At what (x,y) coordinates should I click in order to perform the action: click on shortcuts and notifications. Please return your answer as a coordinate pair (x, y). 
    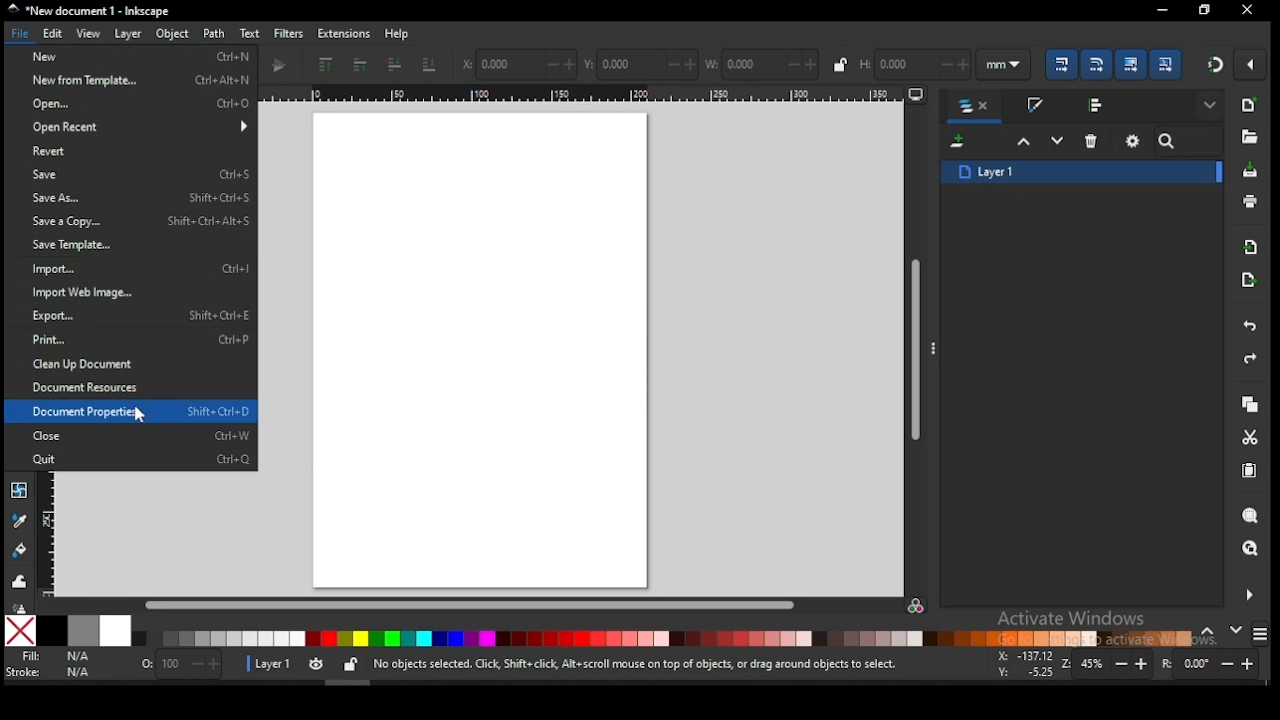
    Looking at the image, I should click on (634, 665).